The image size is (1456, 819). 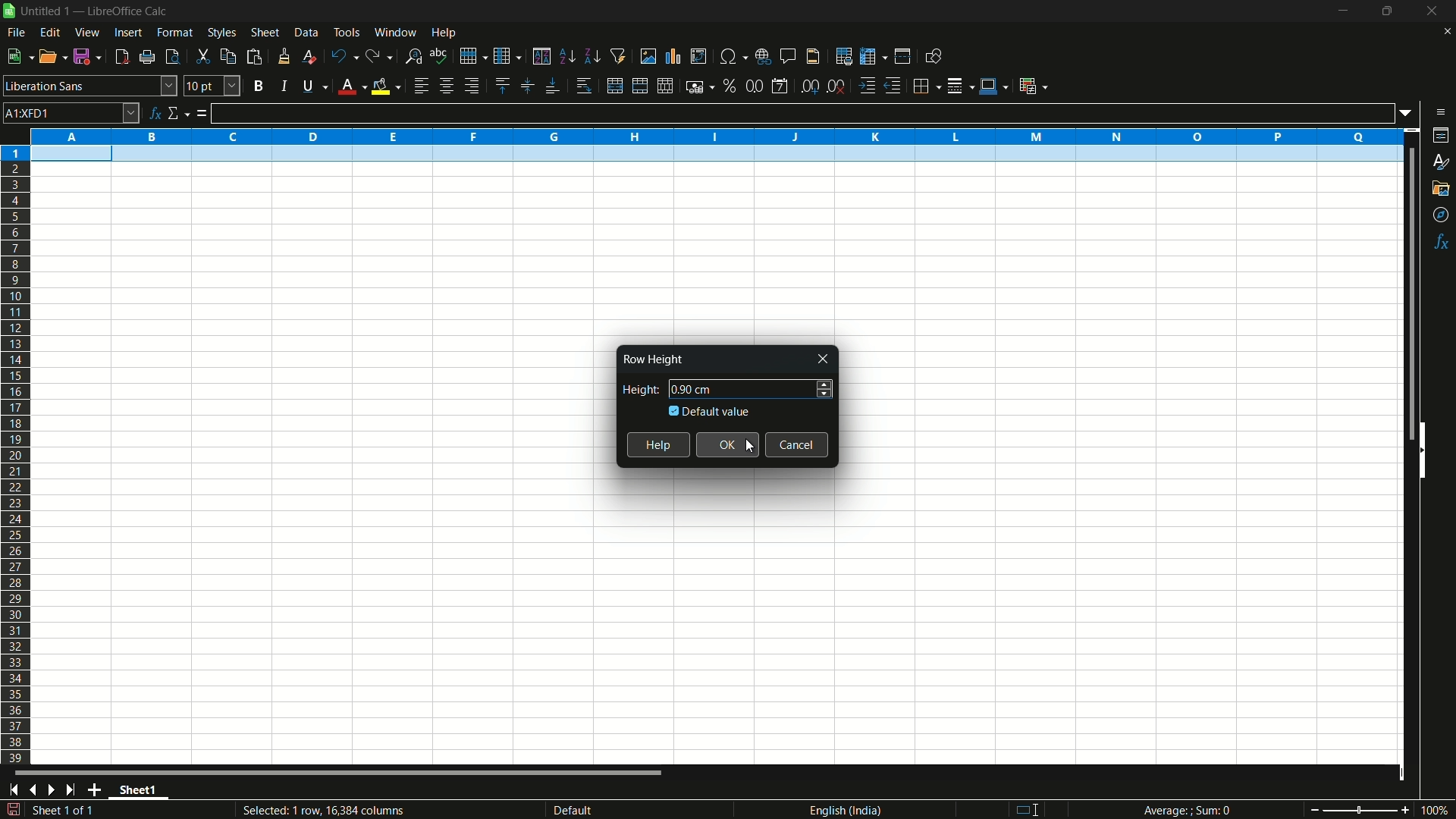 I want to click on | Untitled 1 — LibreOffice Calc, so click(x=92, y=10).